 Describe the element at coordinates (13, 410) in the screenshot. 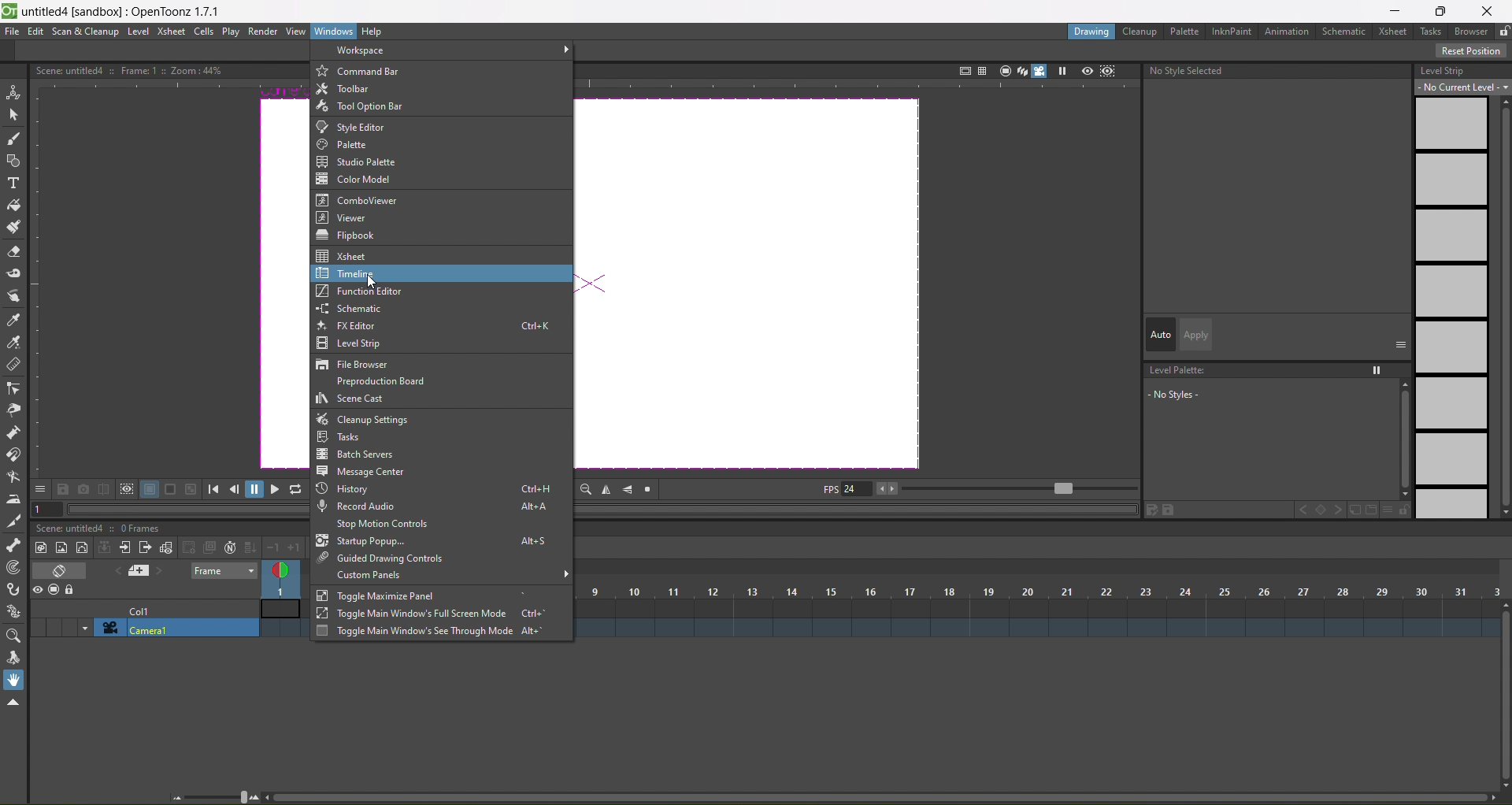

I see `pinch tool` at that location.